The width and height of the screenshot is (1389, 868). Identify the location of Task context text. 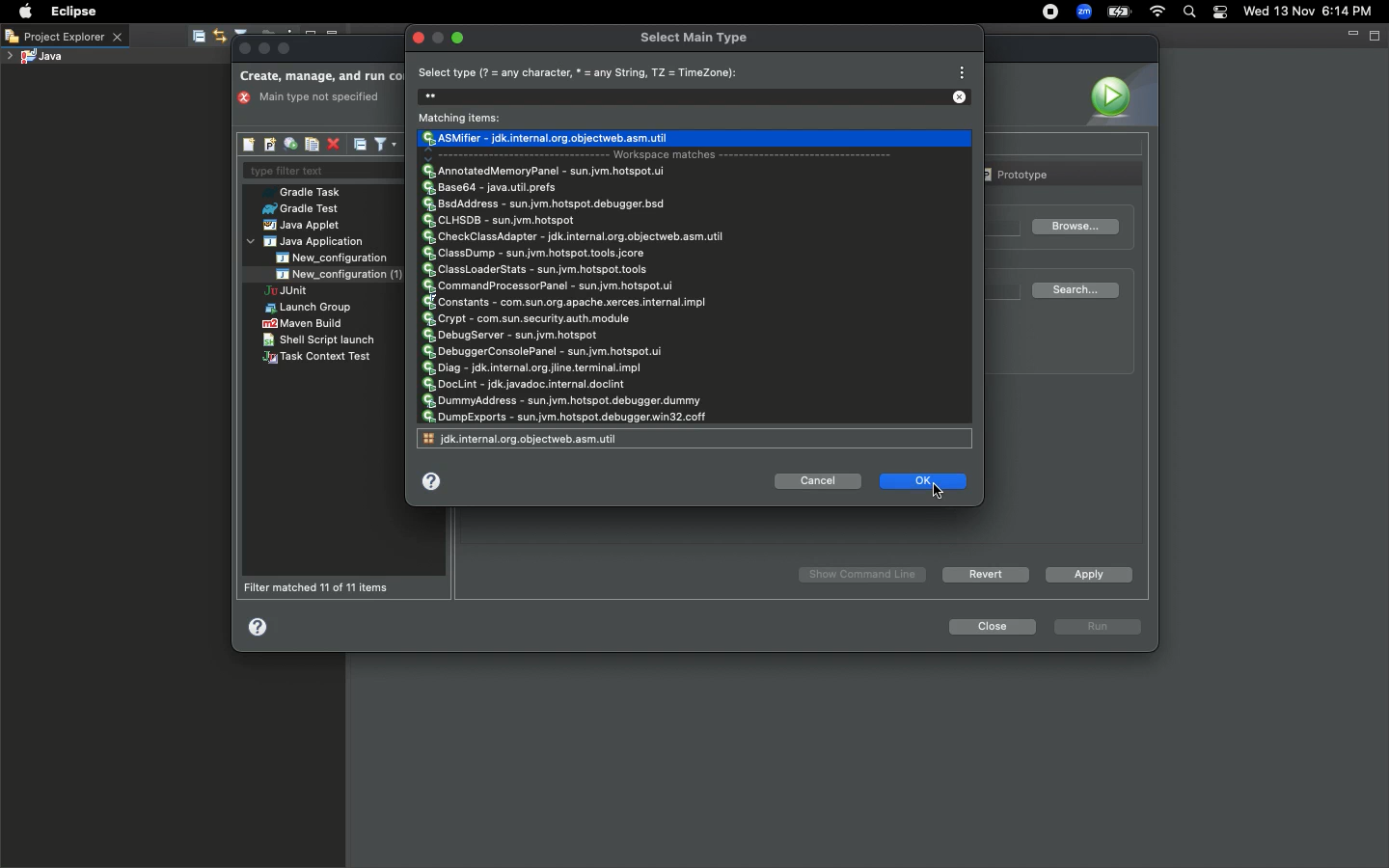
(319, 358).